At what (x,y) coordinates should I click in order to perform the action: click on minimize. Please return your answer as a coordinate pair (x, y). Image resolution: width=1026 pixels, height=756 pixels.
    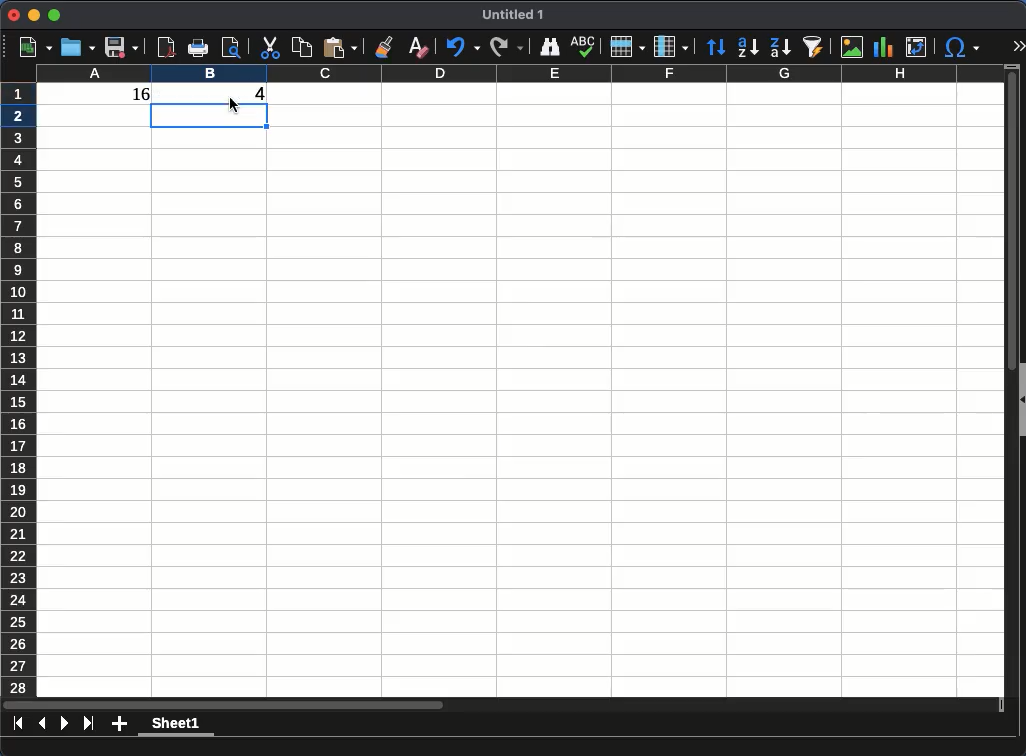
    Looking at the image, I should click on (35, 15).